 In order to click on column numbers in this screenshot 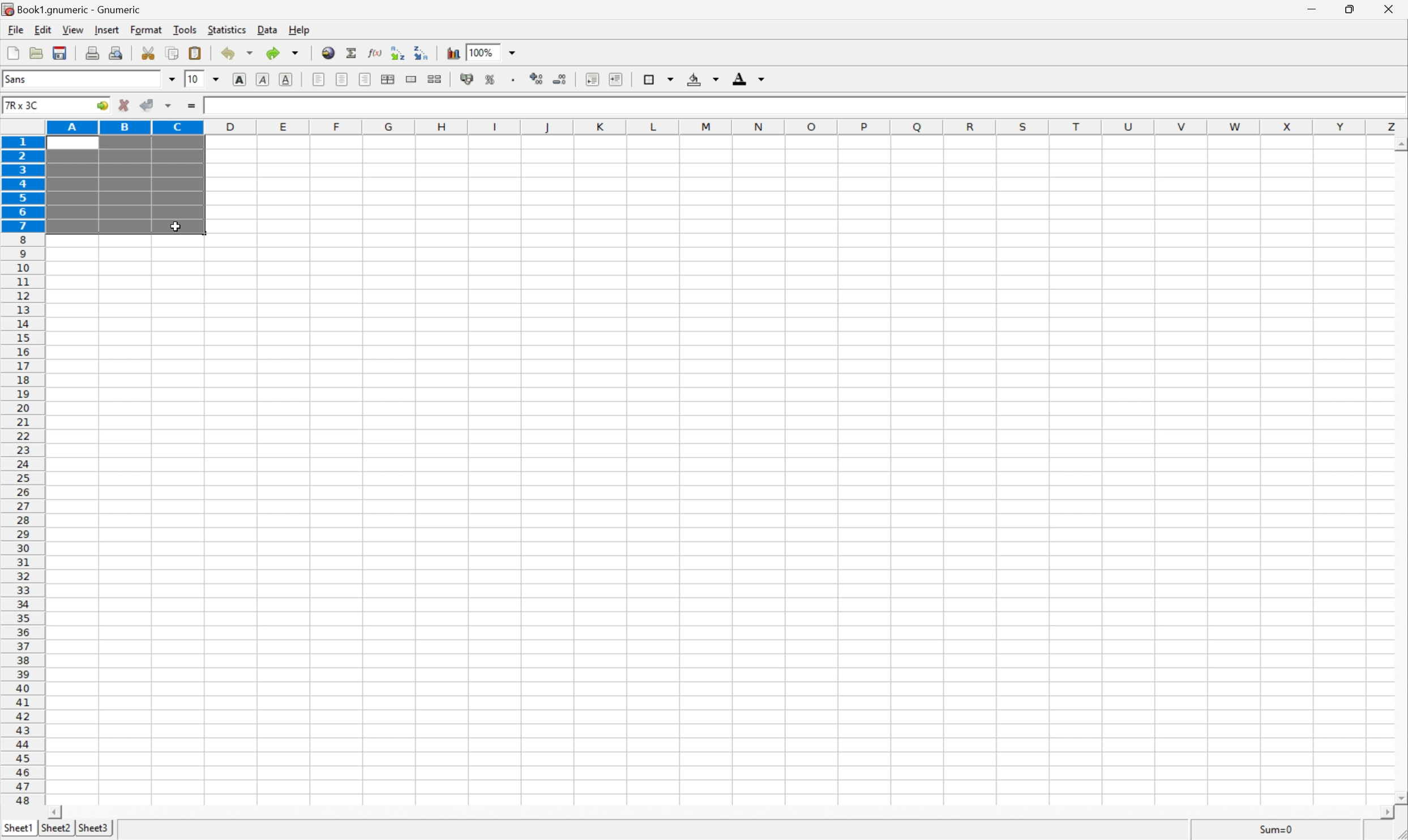, I will do `click(727, 126)`.